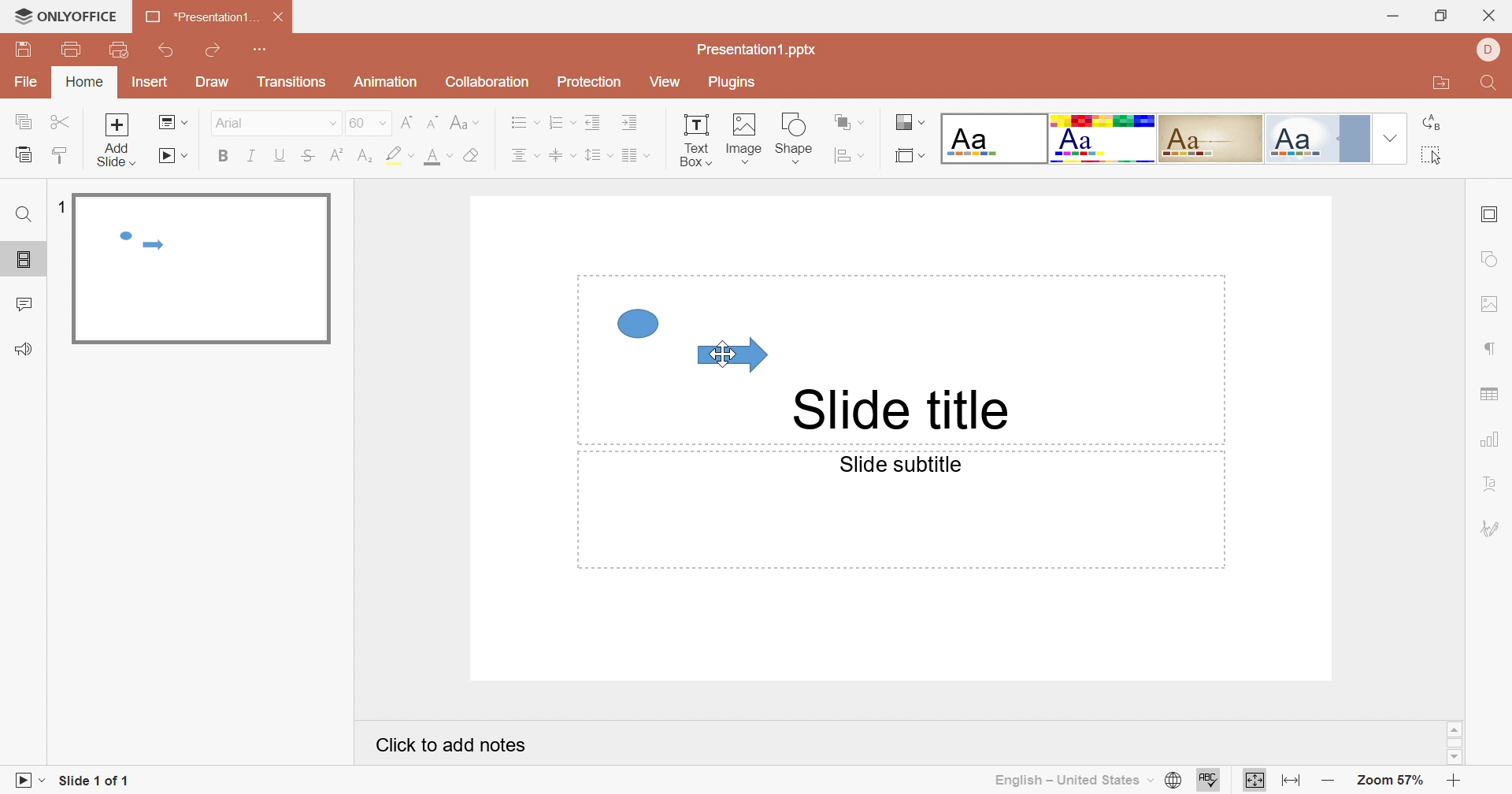 The height and width of the screenshot is (794, 1512). Describe the element at coordinates (387, 83) in the screenshot. I see `Animation` at that location.